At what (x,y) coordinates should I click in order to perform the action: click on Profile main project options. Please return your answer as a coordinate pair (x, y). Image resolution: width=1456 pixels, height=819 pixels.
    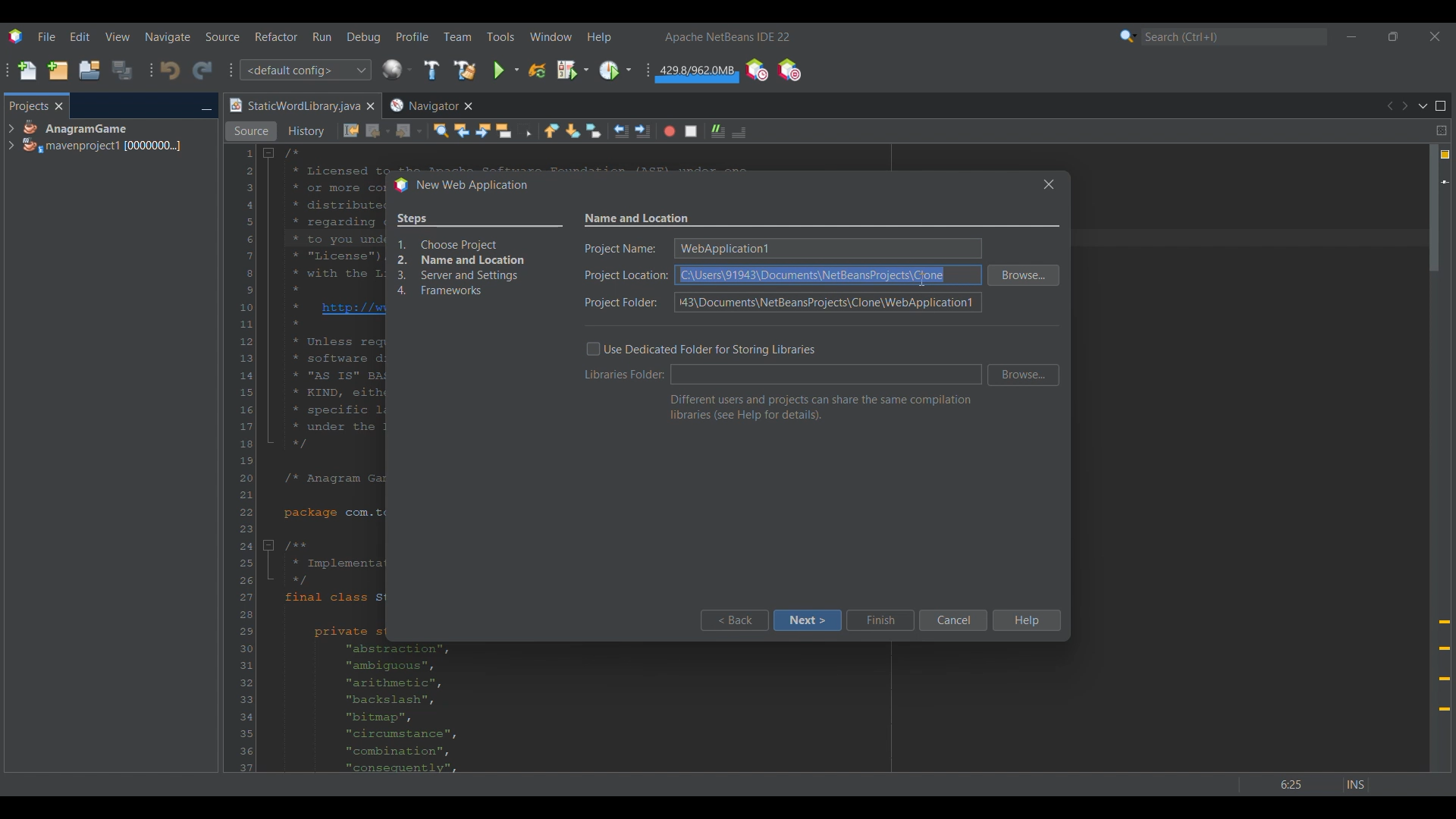
    Looking at the image, I should click on (615, 71).